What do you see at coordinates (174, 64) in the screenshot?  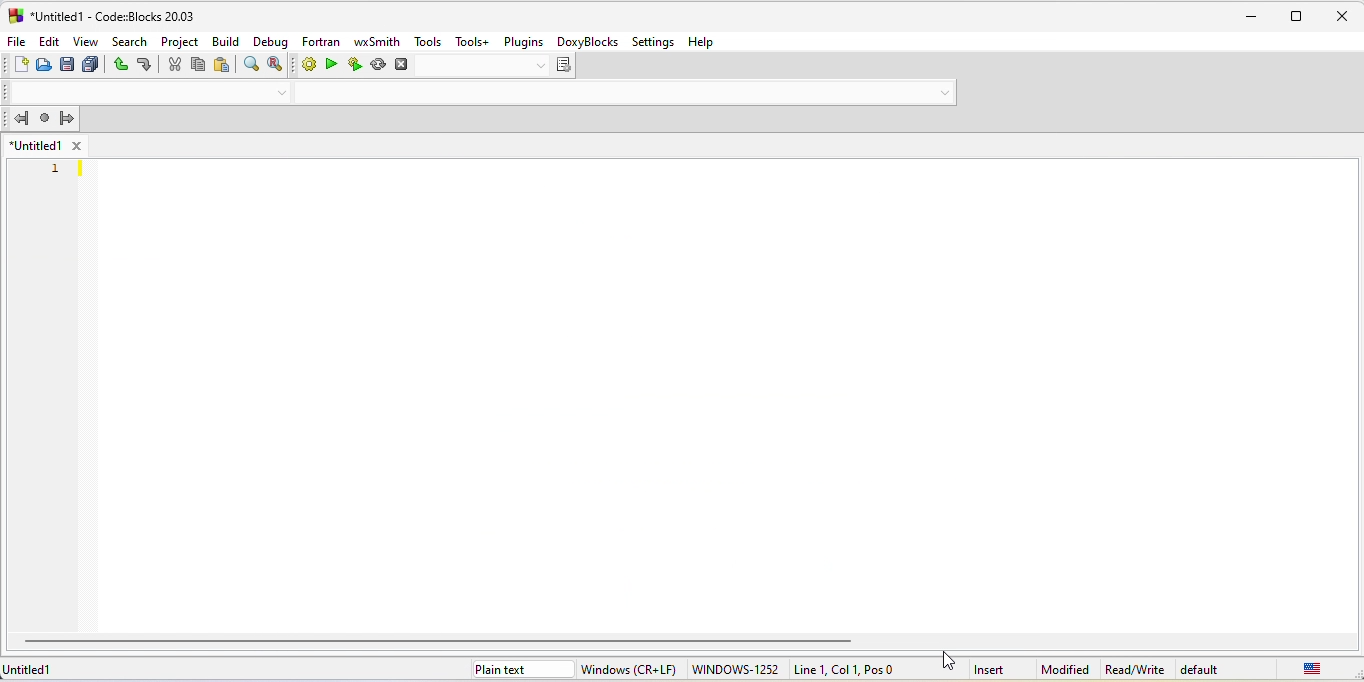 I see `cut` at bounding box center [174, 64].